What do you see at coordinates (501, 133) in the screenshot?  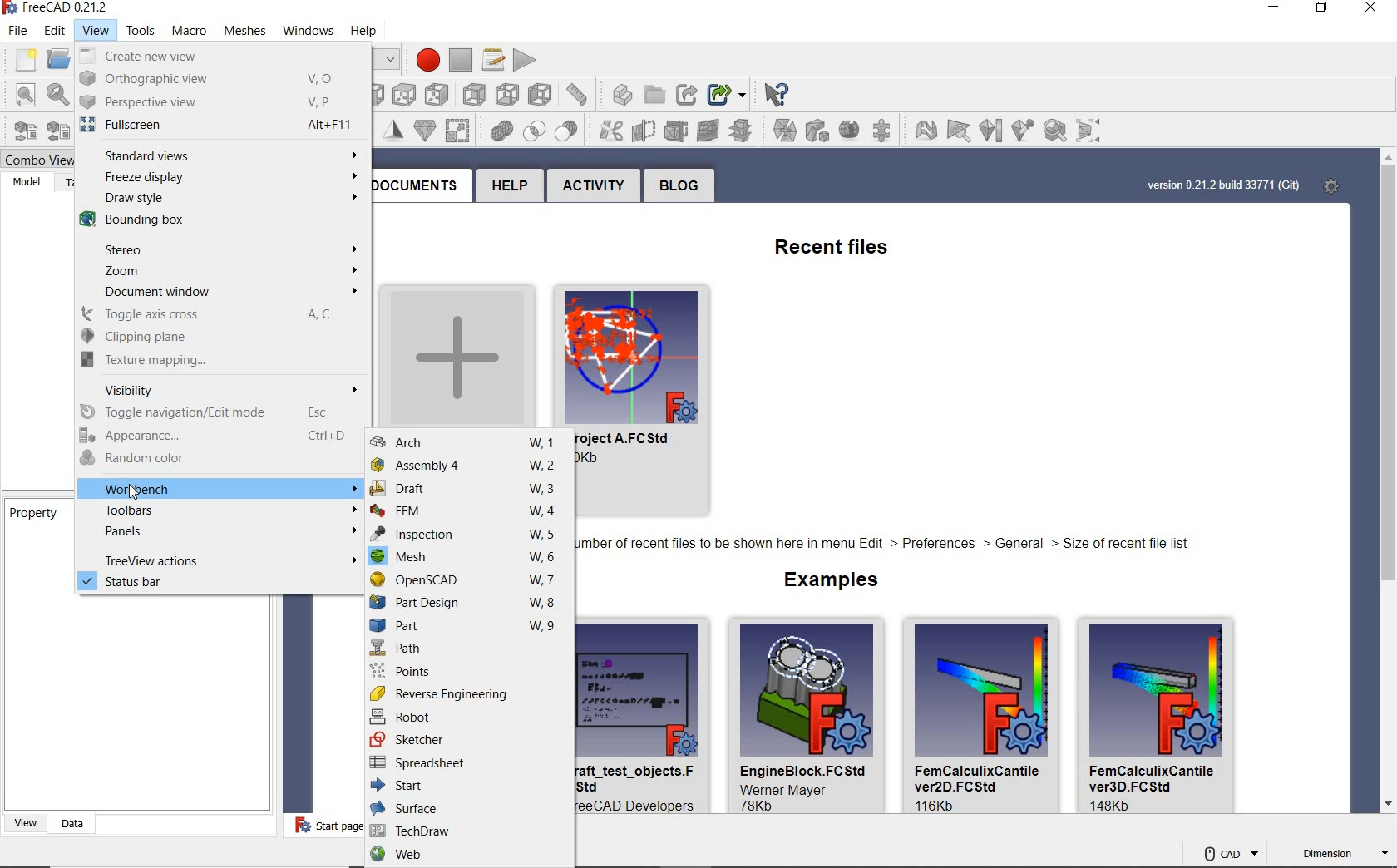 I see `intersection` at bounding box center [501, 133].